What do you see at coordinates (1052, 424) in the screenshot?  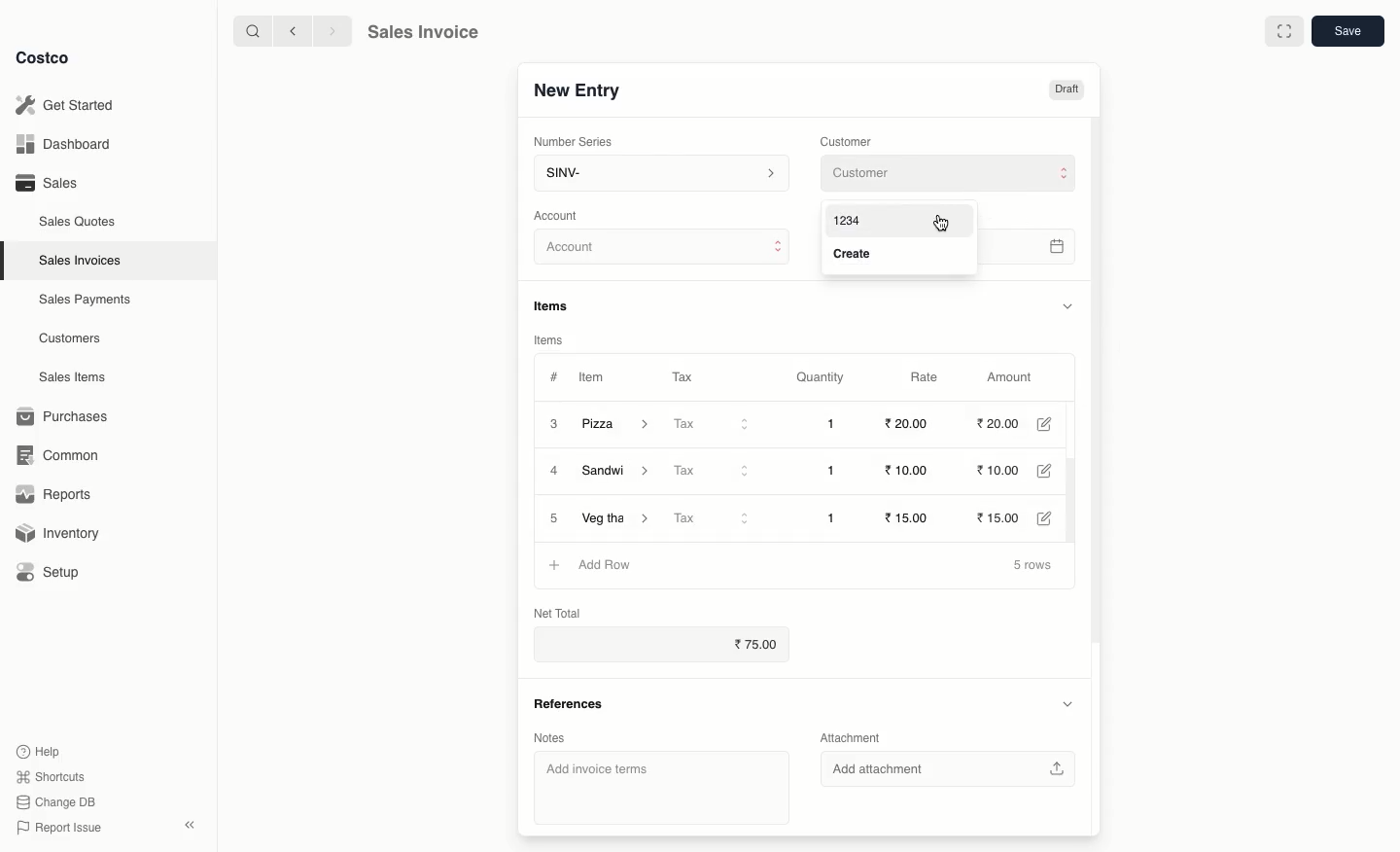 I see `Edit` at bounding box center [1052, 424].